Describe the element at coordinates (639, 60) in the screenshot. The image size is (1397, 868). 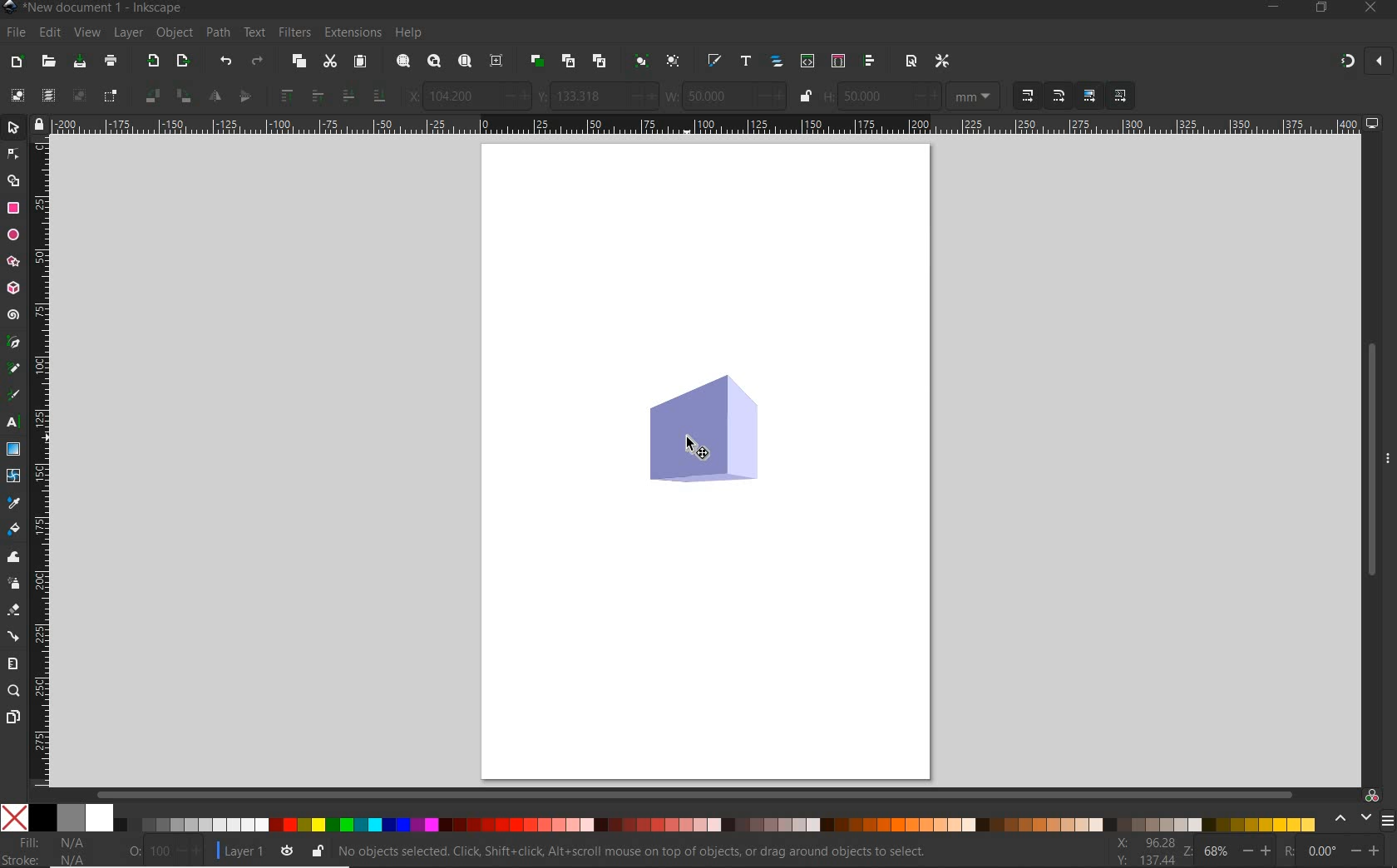
I see `group` at that location.